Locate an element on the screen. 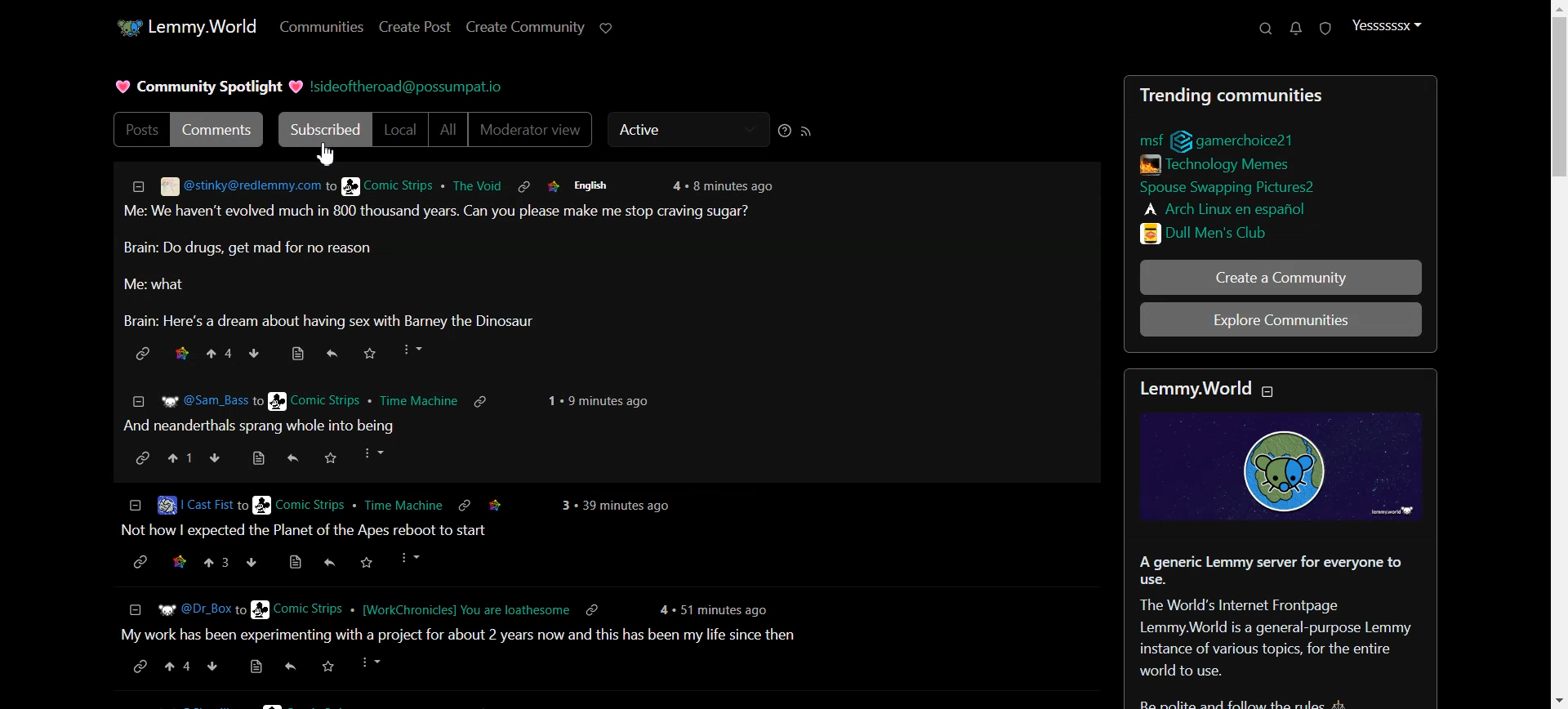 The width and height of the screenshot is (1568, 709). copy is located at coordinates (523, 185).